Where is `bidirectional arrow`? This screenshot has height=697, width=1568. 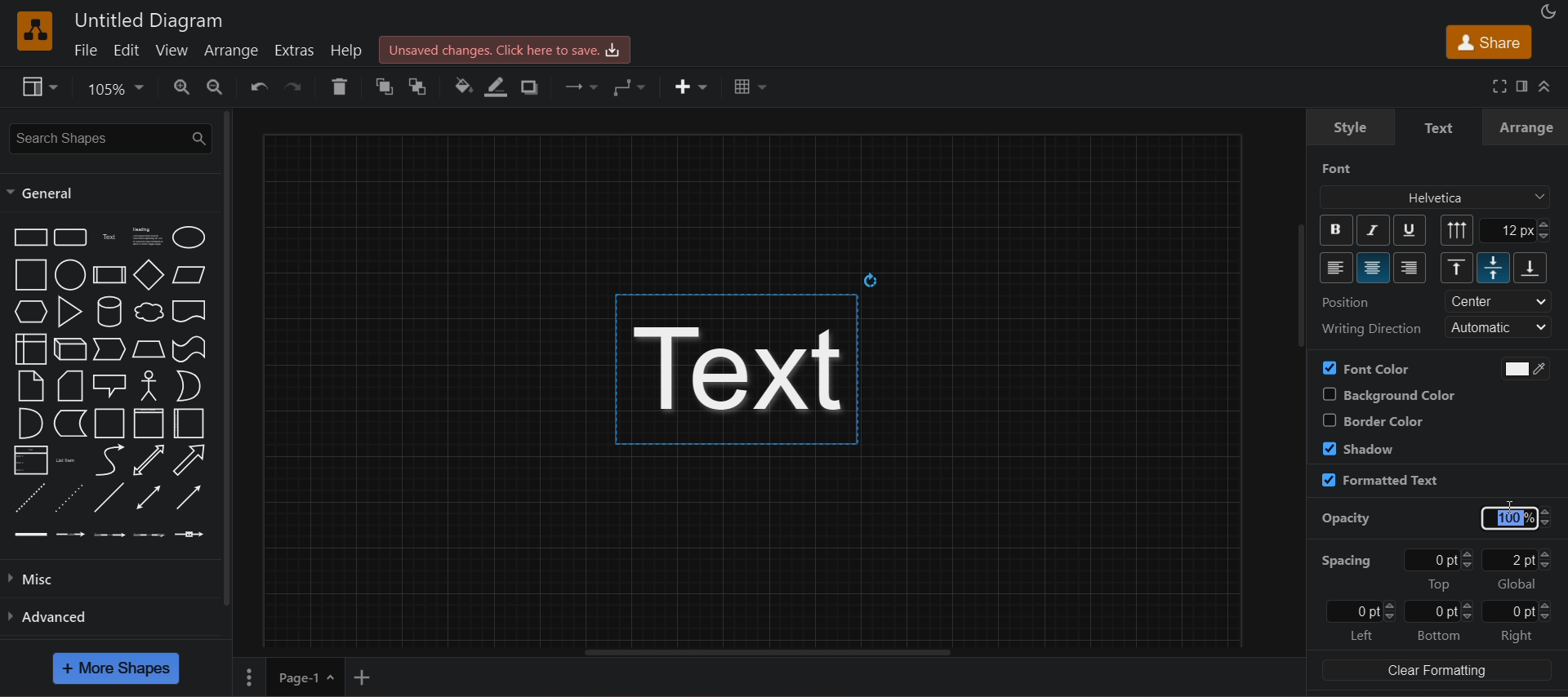 bidirectional arrow is located at coordinates (149, 460).